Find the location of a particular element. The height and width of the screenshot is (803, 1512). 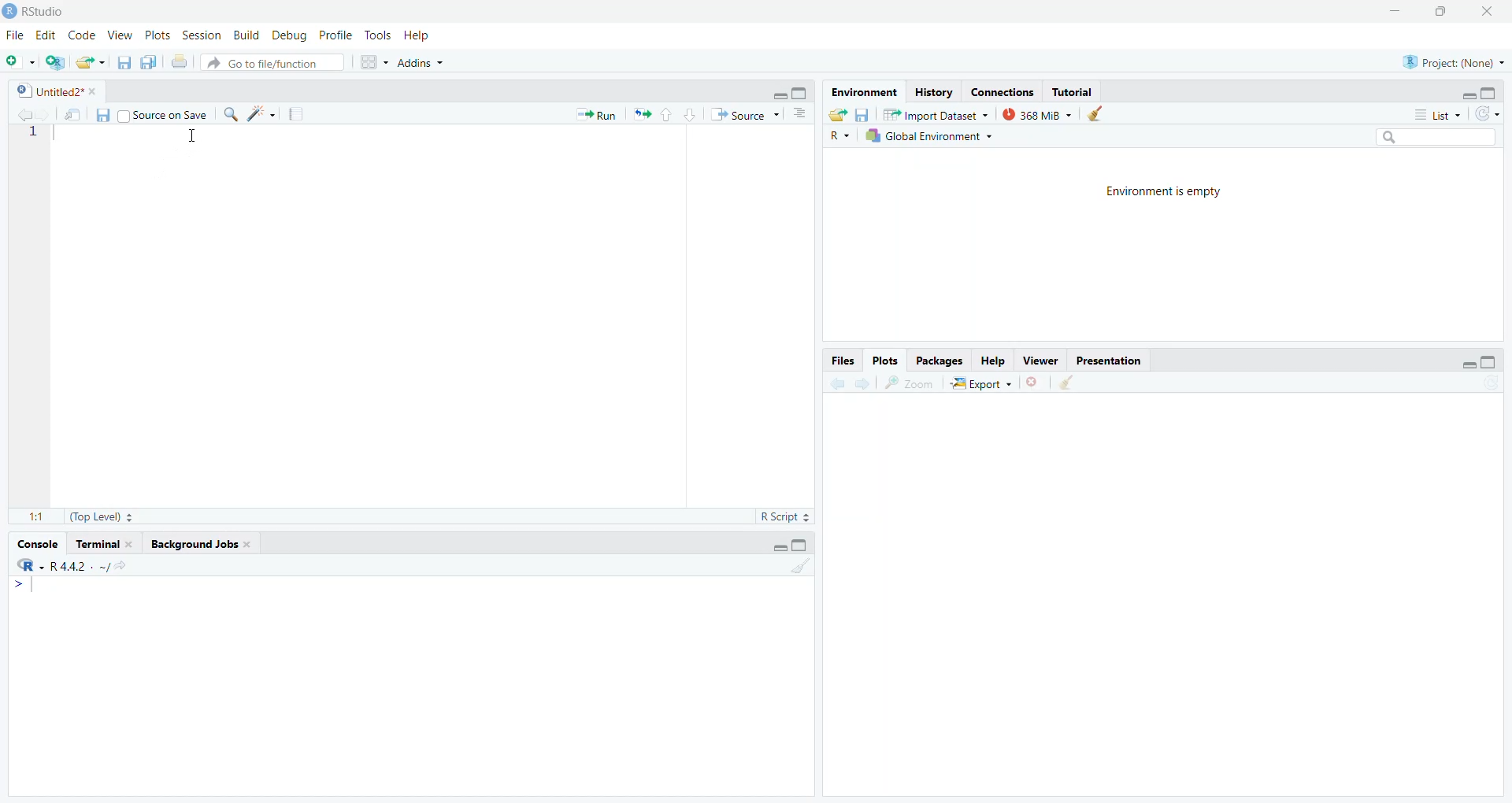

files is located at coordinates (106, 115).